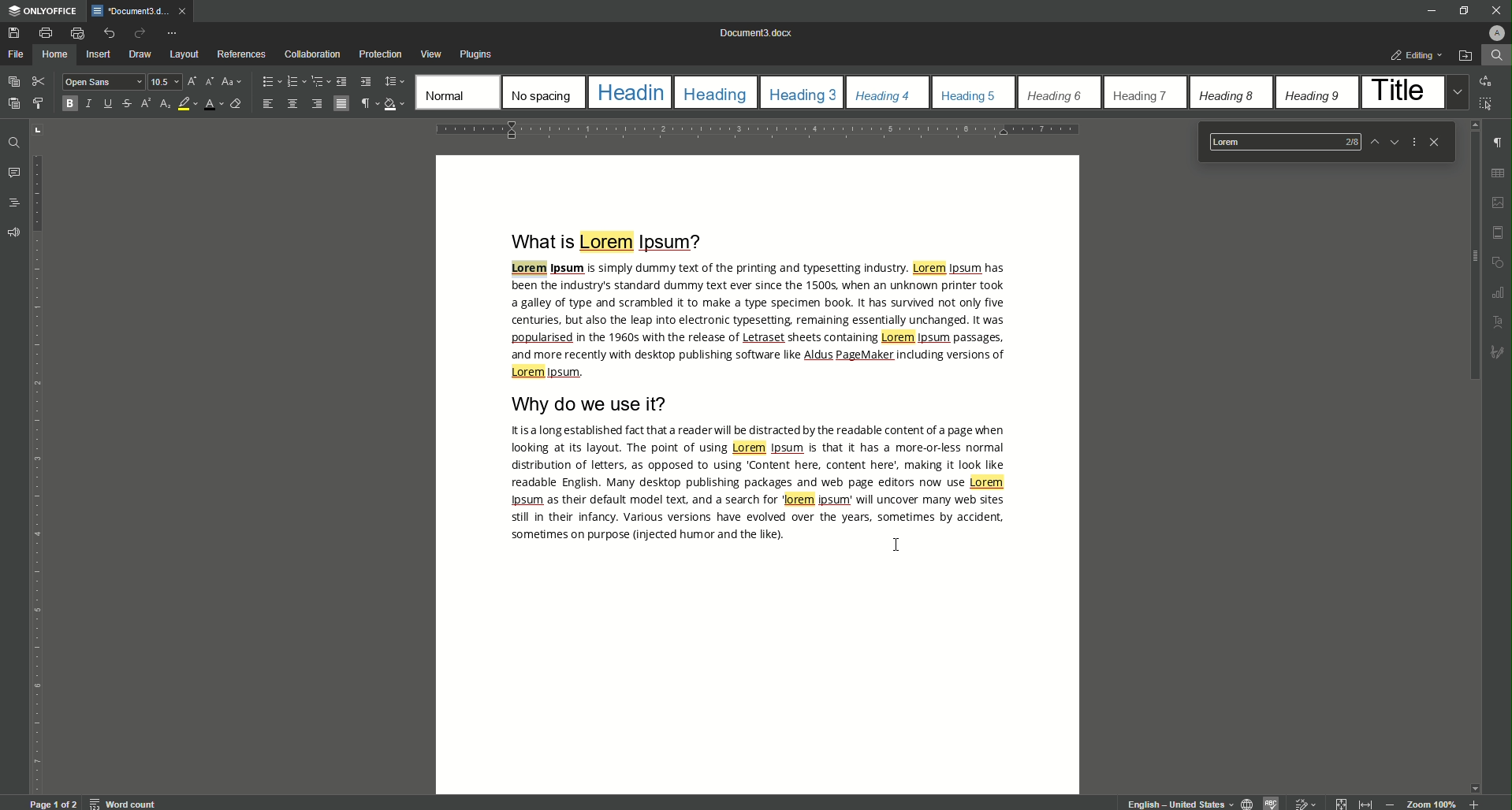 The width and height of the screenshot is (1512, 810). What do you see at coordinates (18, 54) in the screenshot?
I see `File` at bounding box center [18, 54].